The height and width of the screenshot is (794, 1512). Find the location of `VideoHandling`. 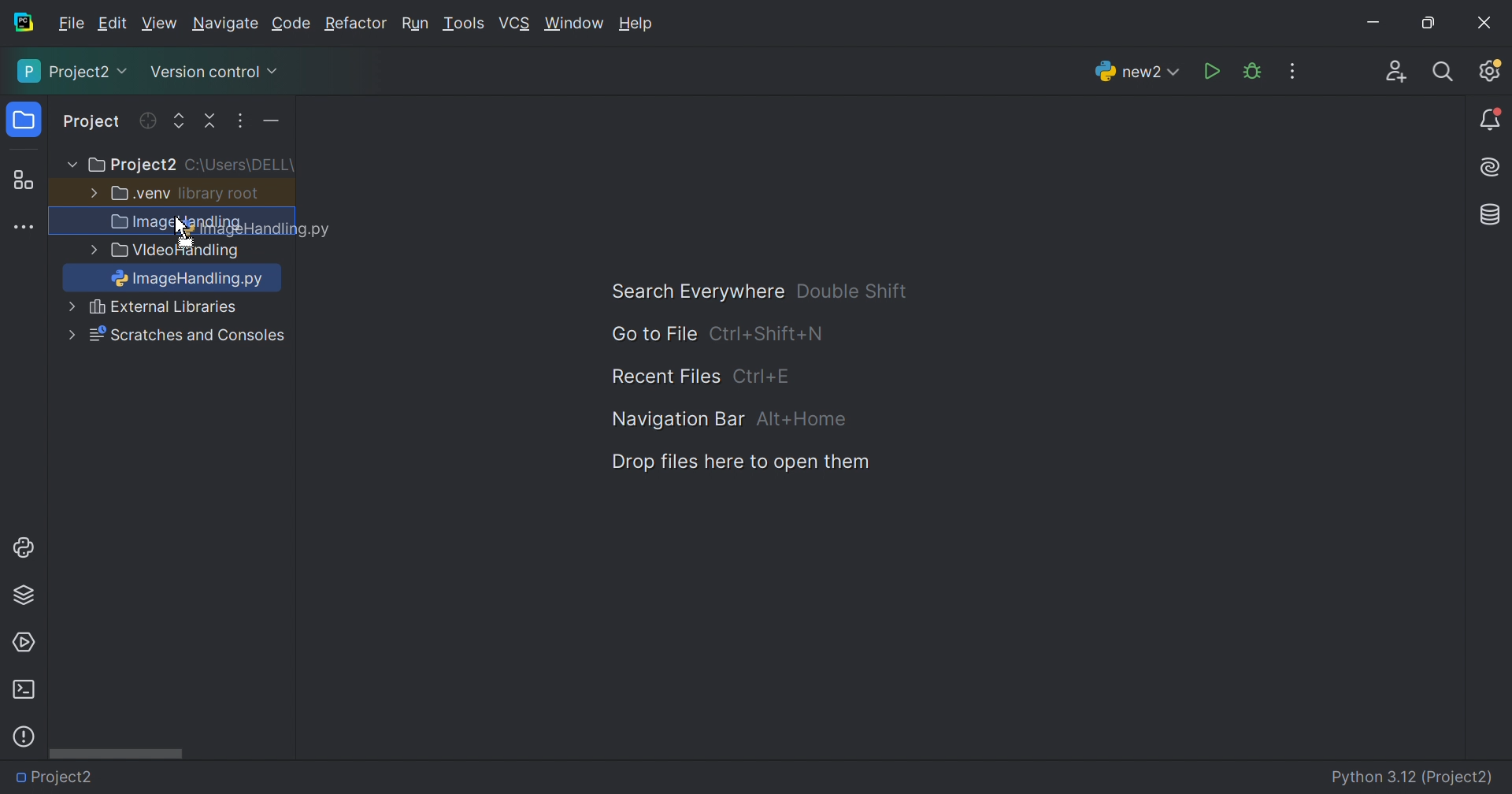

VideoHandling is located at coordinates (178, 252).